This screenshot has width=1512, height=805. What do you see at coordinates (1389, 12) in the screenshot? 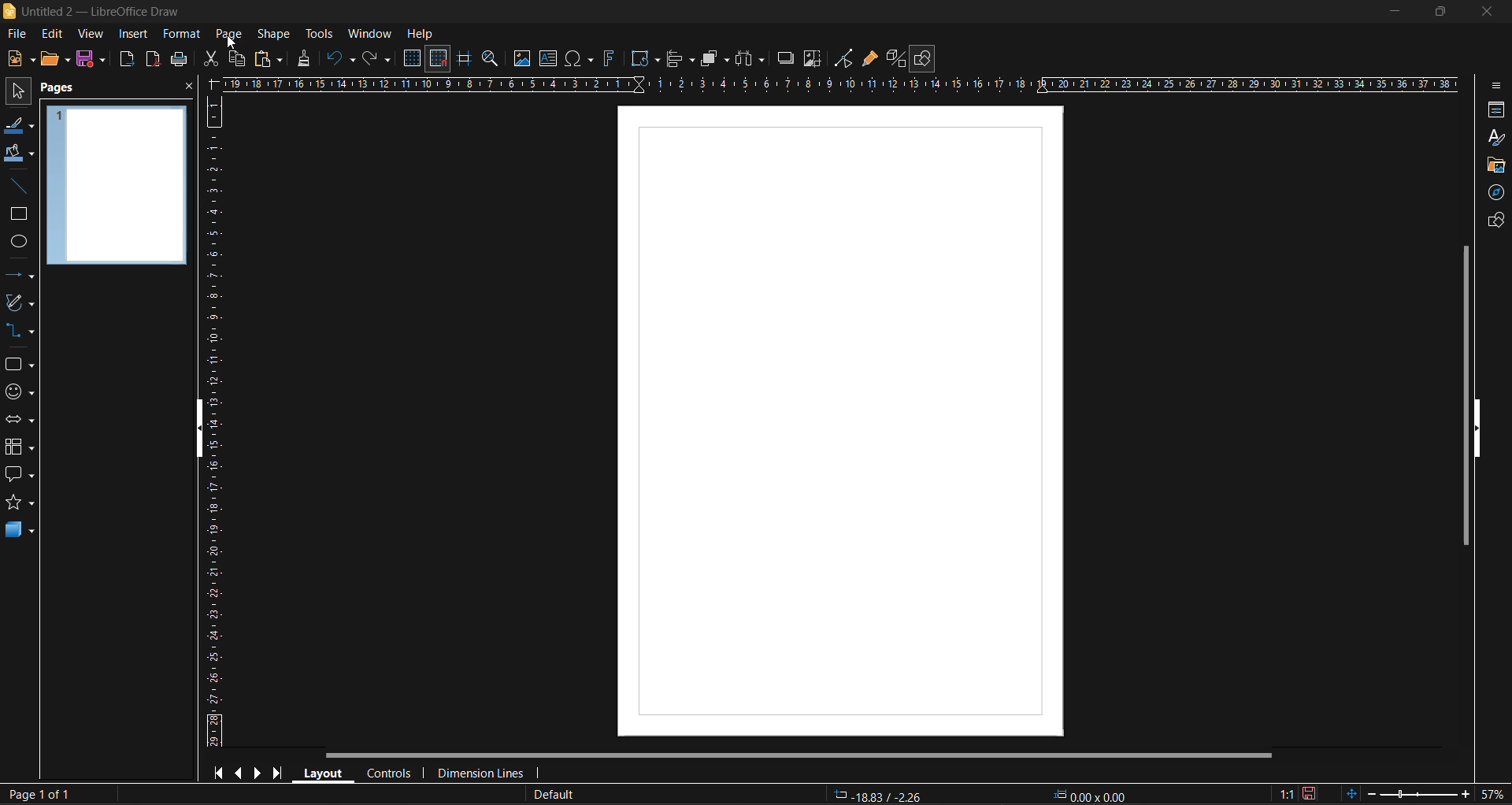
I see `minimize` at bounding box center [1389, 12].